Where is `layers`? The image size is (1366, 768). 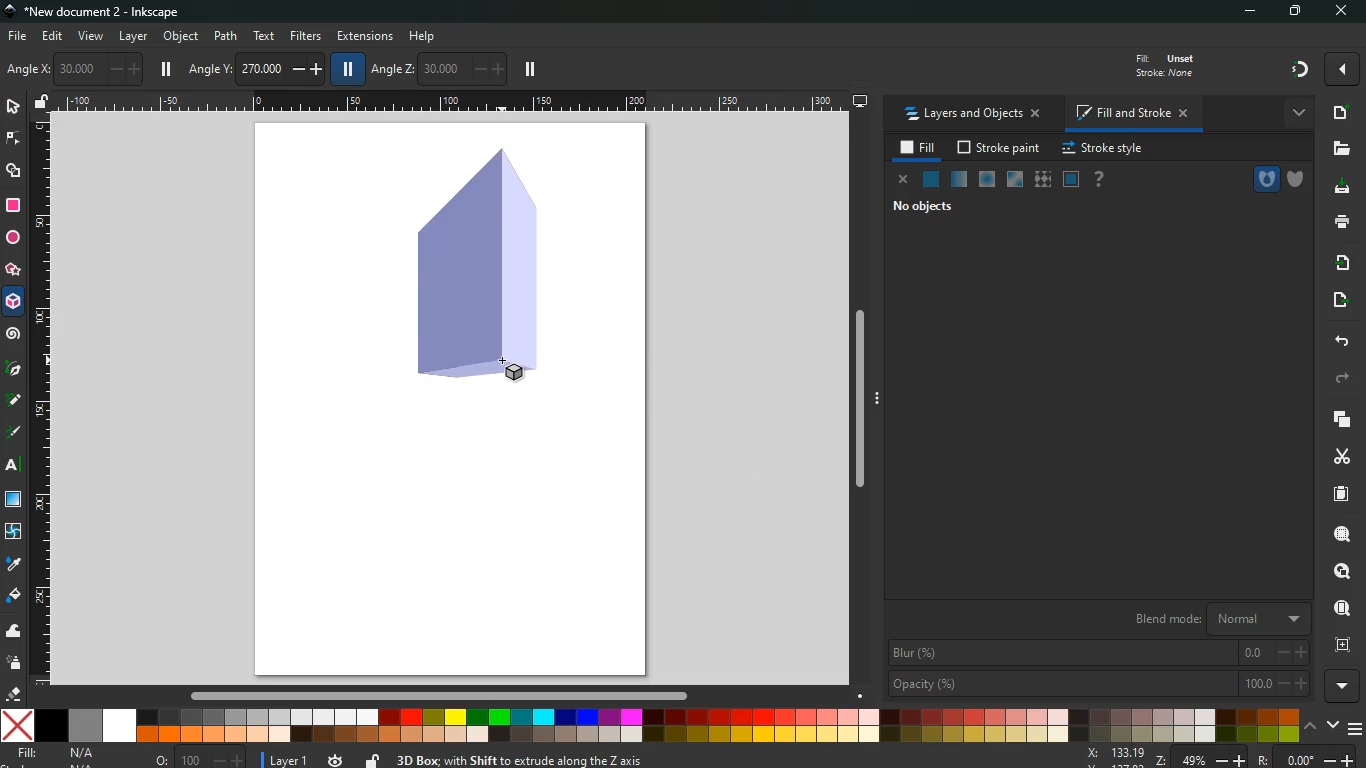 layers is located at coordinates (1336, 418).